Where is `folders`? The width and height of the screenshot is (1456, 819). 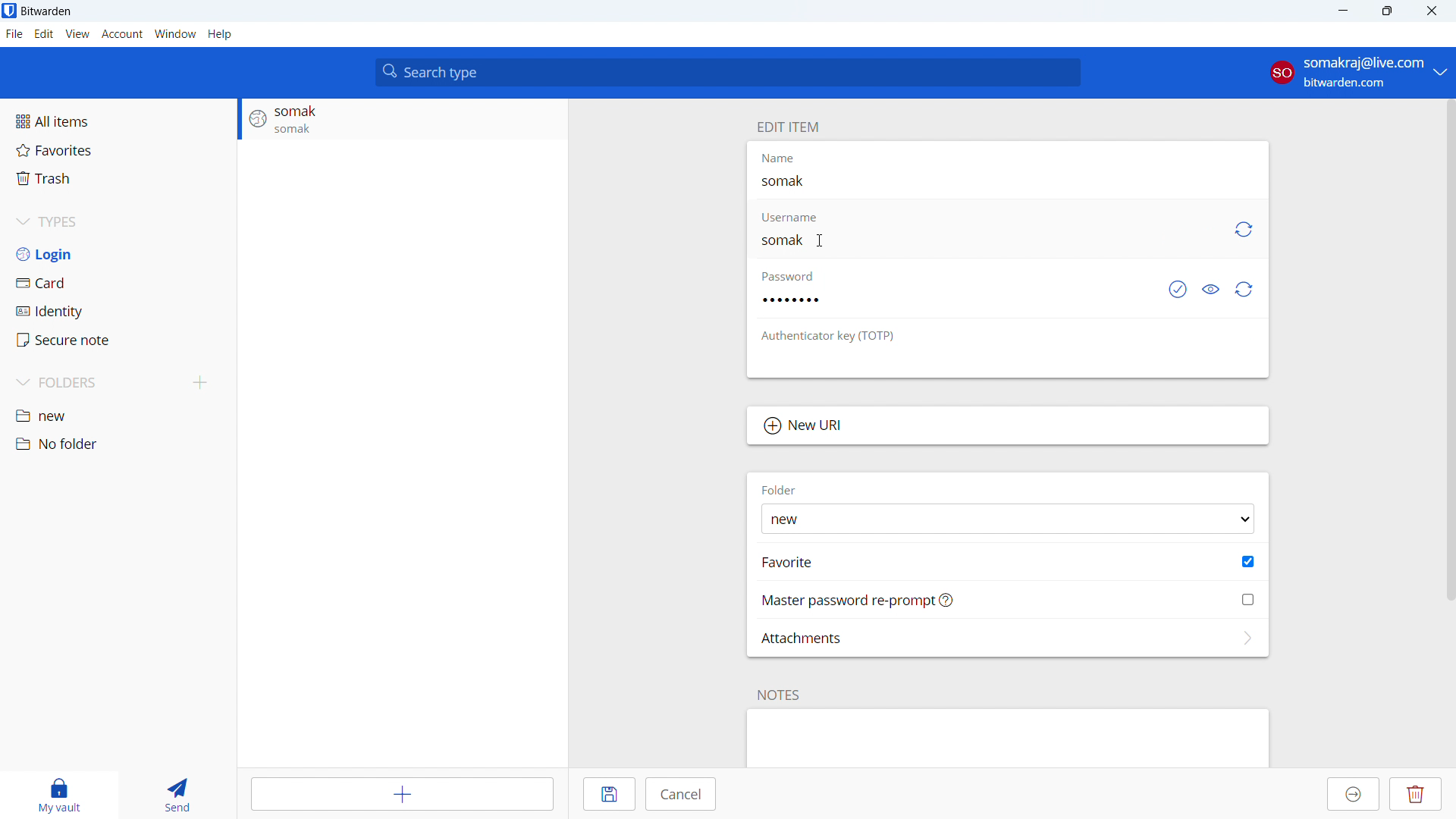 folders is located at coordinates (94, 383).